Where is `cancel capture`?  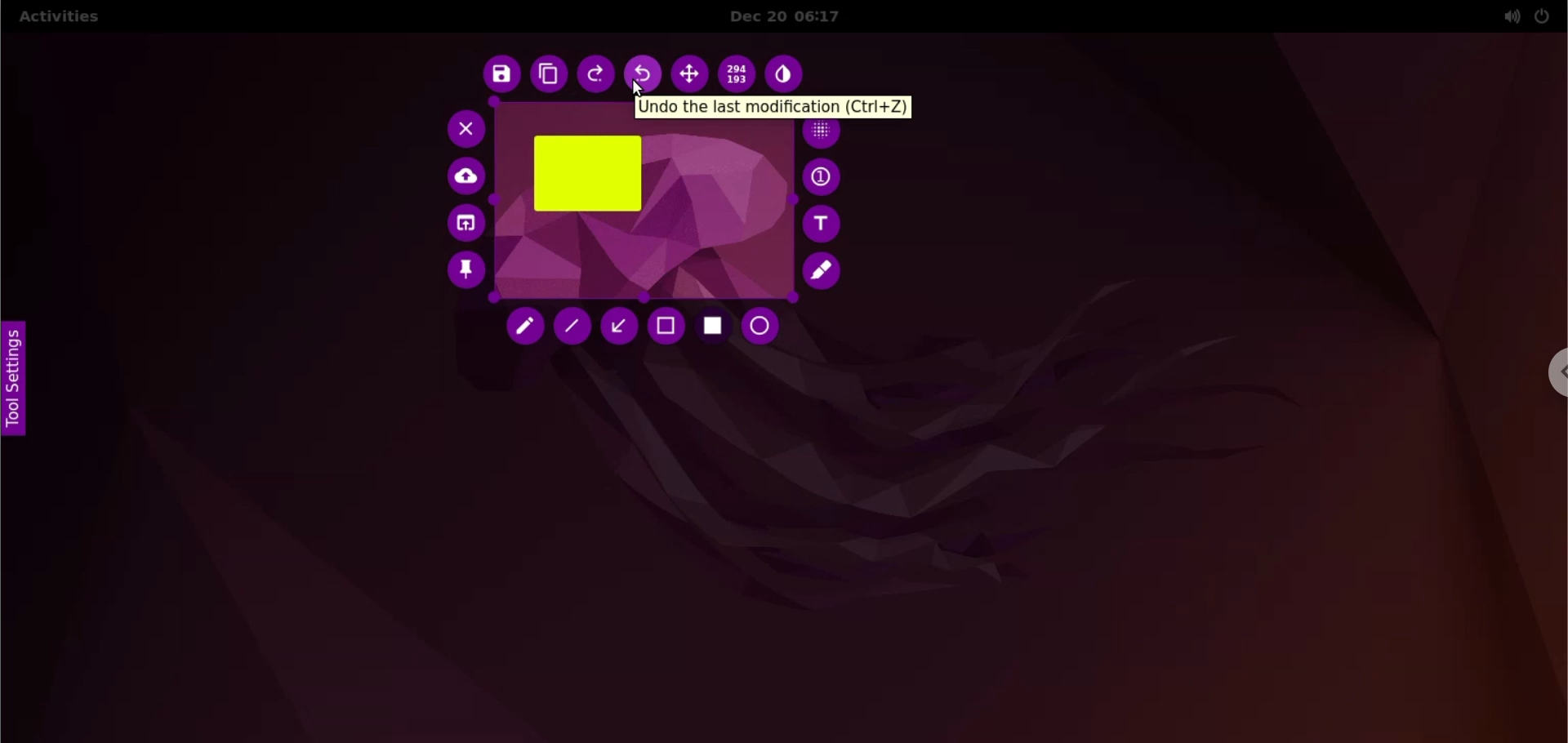 cancel capture is located at coordinates (461, 128).